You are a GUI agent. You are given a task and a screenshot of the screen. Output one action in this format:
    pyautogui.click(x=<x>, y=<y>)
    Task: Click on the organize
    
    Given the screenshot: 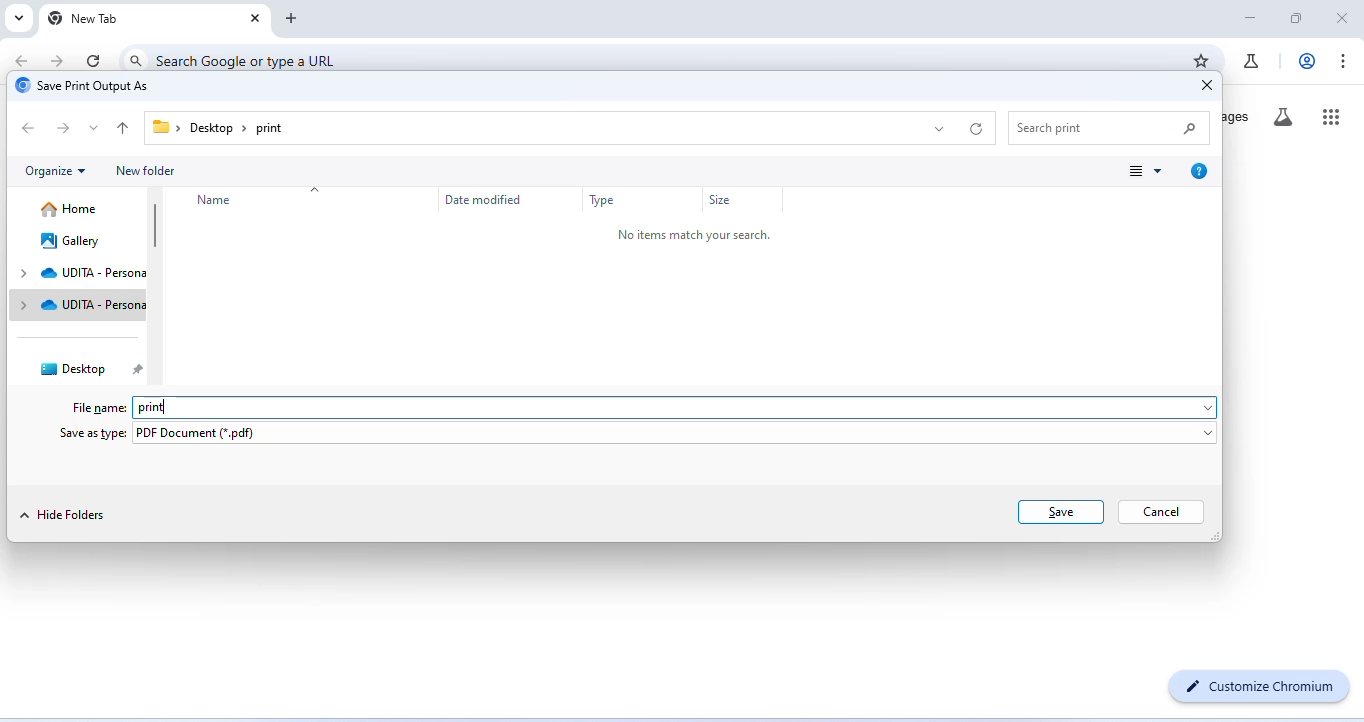 What is the action you would take?
    pyautogui.click(x=56, y=172)
    